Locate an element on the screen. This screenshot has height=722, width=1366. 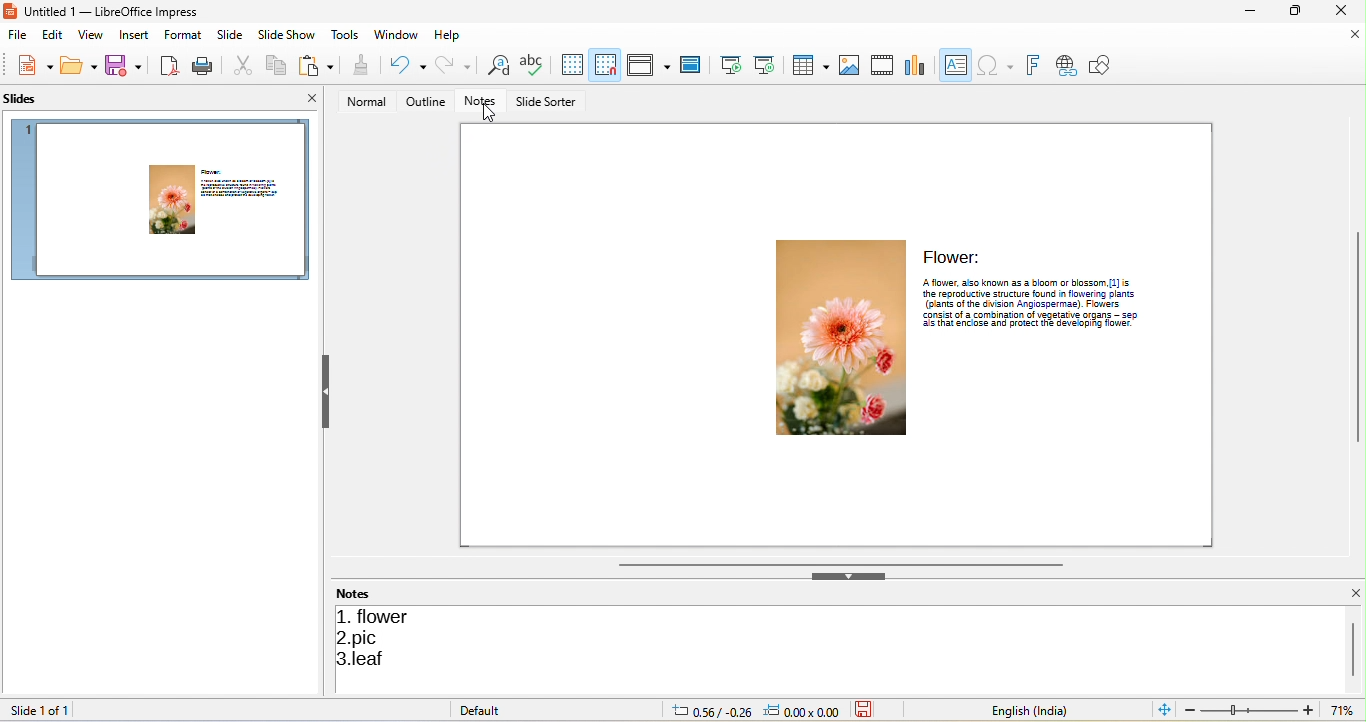
snap grids is located at coordinates (607, 65).